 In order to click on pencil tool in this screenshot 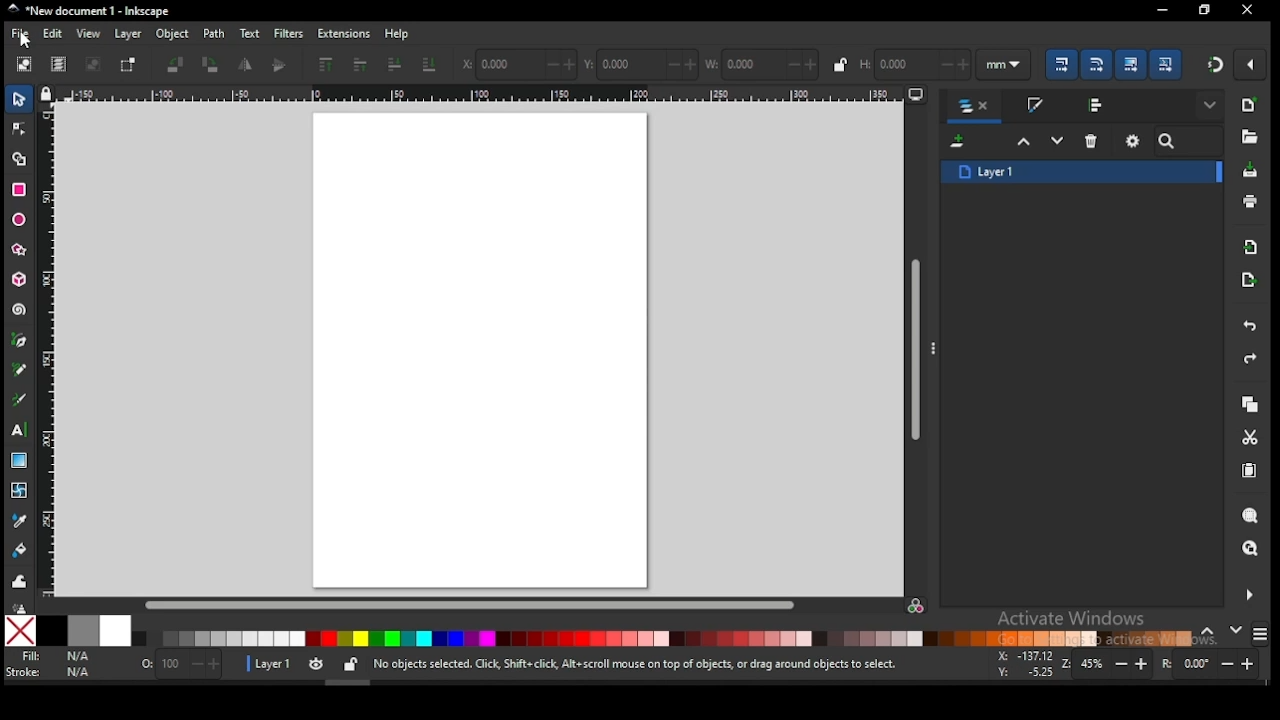, I will do `click(21, 371)`.